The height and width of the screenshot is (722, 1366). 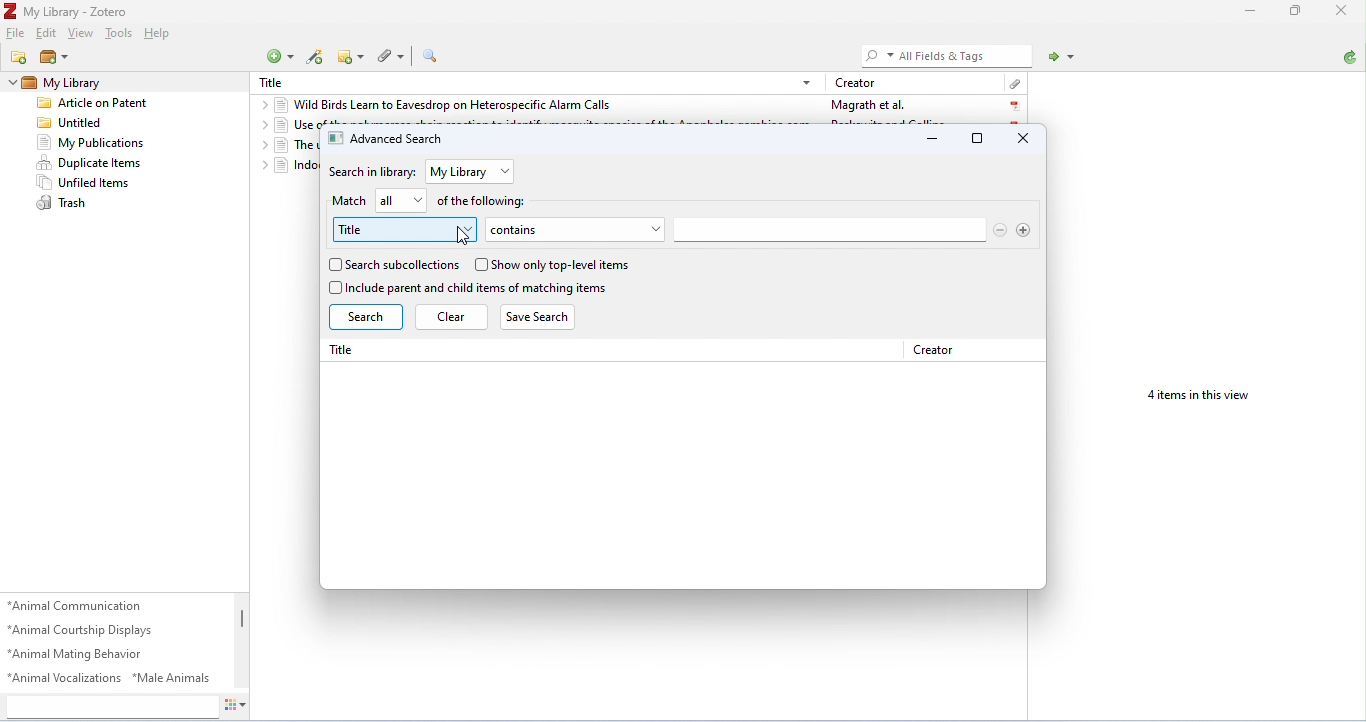 I want to click on file, so click(x=16, y=32).